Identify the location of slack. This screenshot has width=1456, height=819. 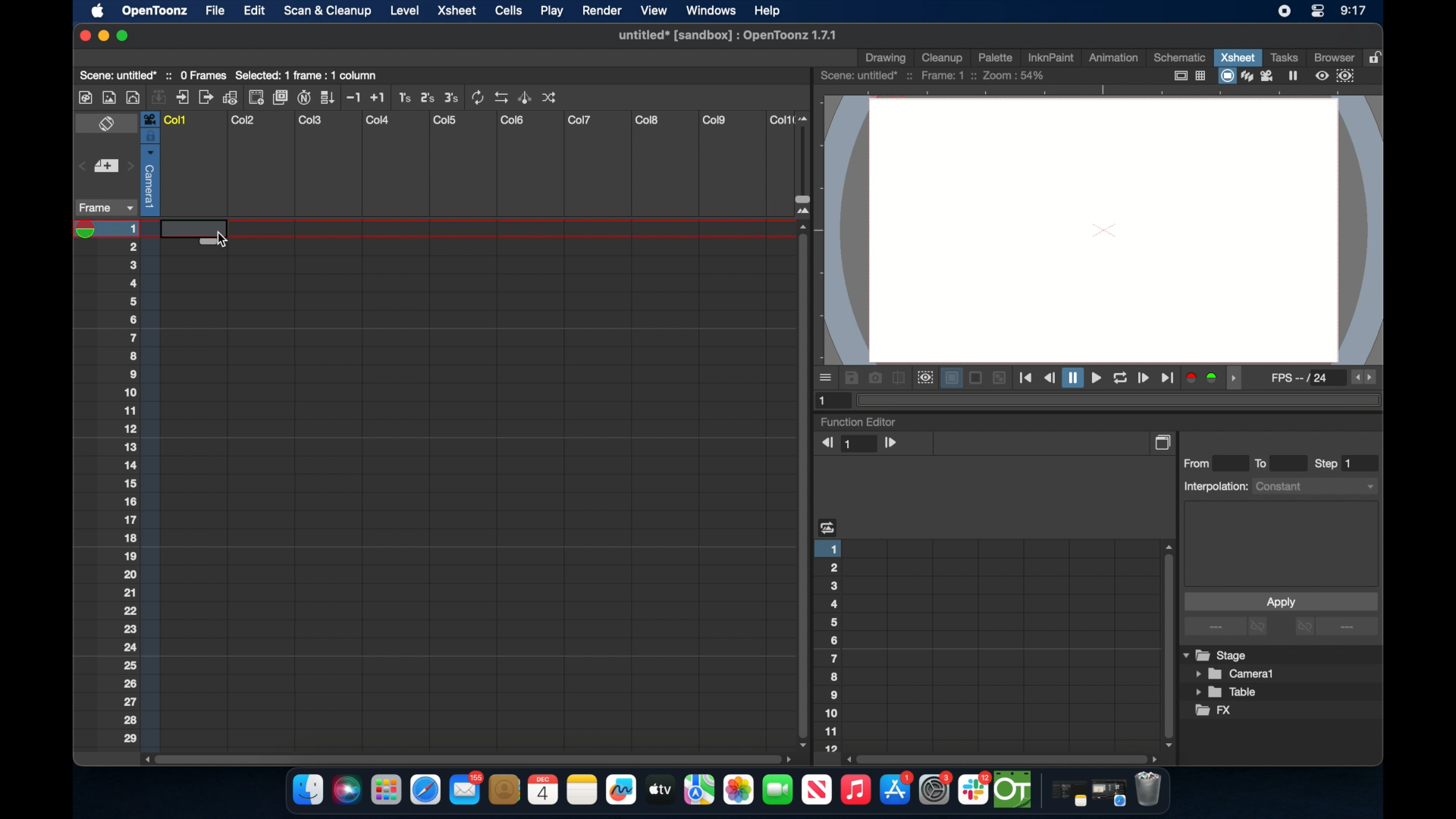
(974, 790).